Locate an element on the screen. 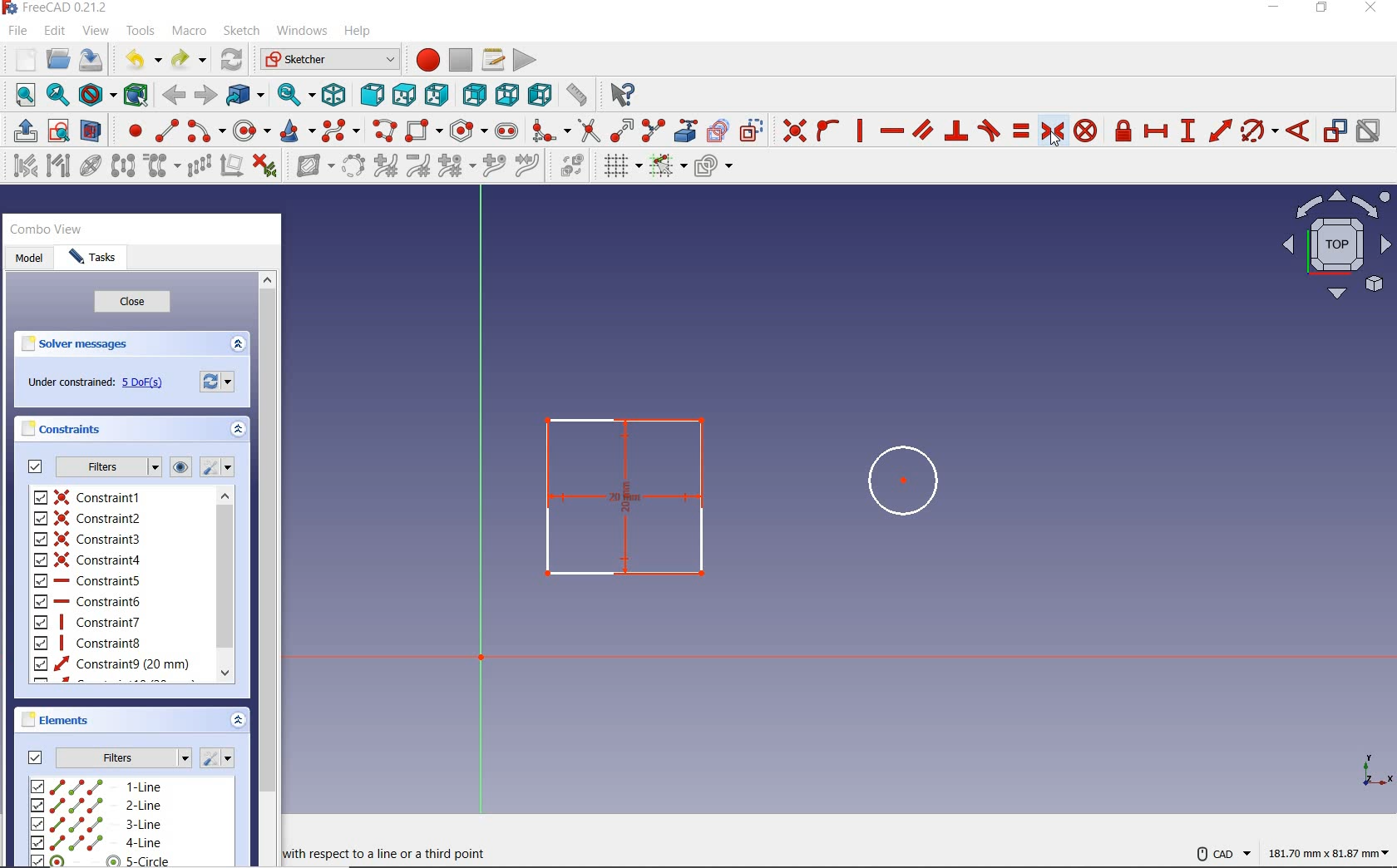  constrain symmetrical is located at coordinates (1054, 131).